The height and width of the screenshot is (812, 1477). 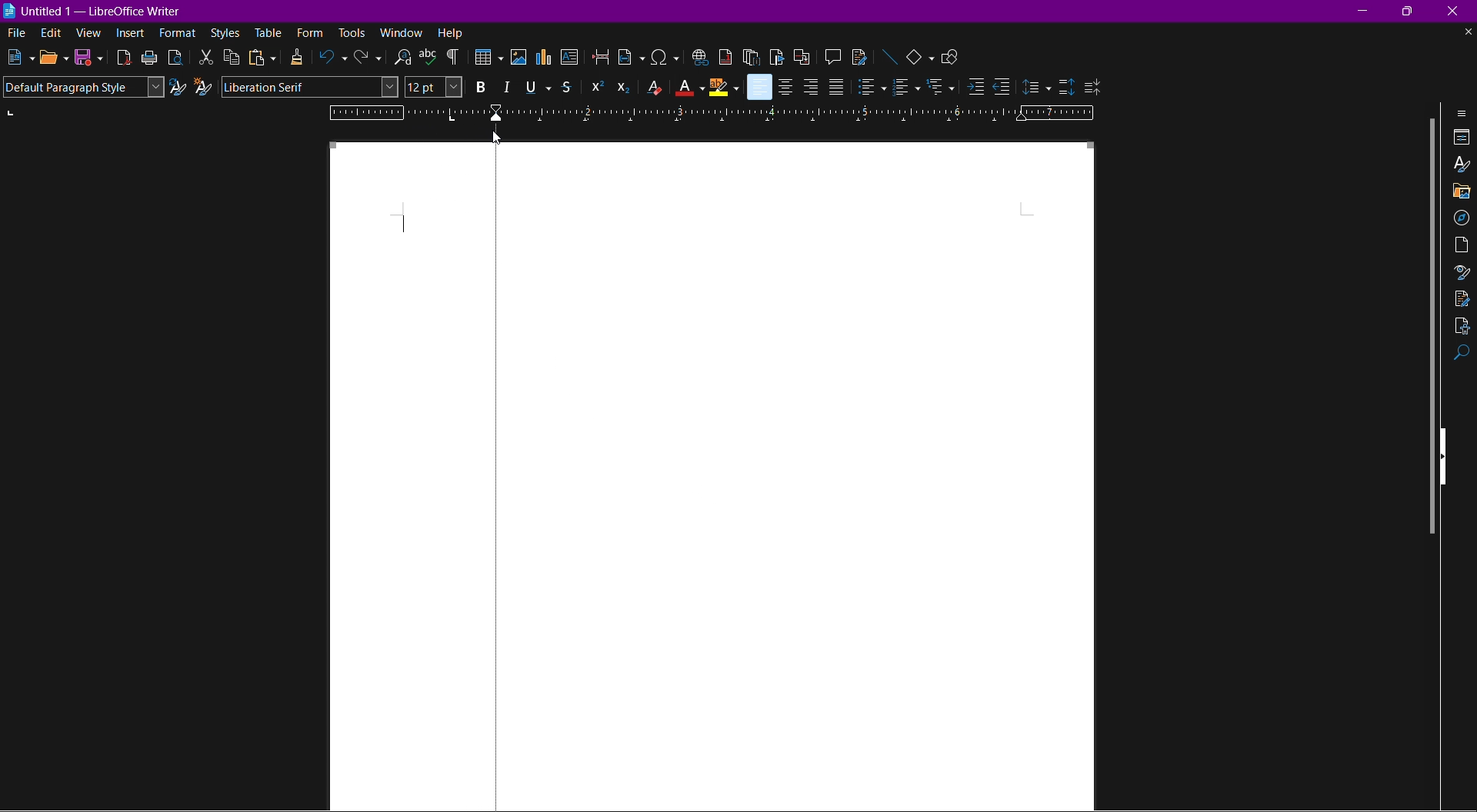 What do you see at coordinates (1412, 12) in the screenshot?
I see `Maximize` at bounding box center [1412, 12].